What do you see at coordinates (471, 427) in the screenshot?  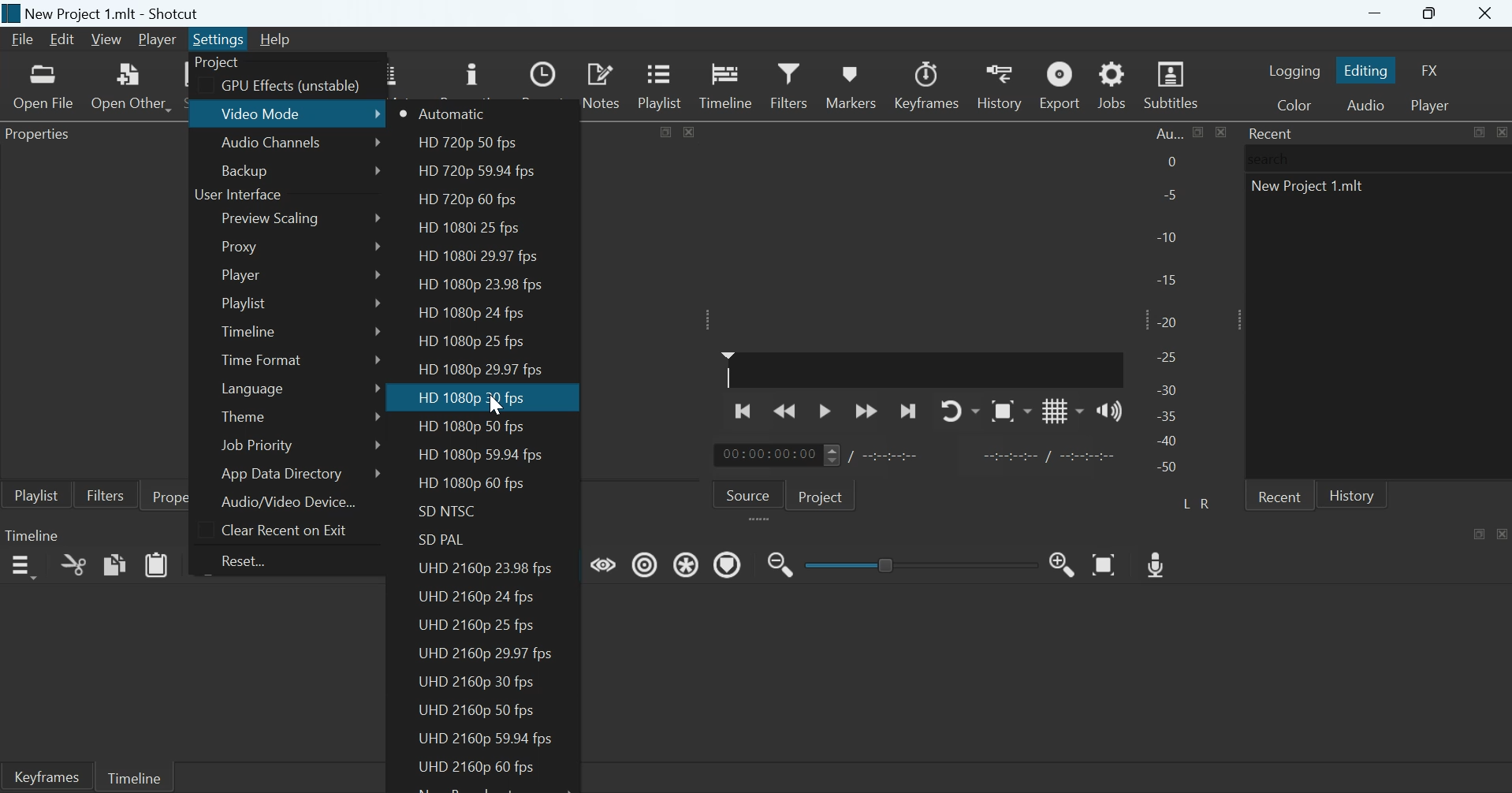 I see `HD 1080p 50fps` at bounding box center [471, 427].